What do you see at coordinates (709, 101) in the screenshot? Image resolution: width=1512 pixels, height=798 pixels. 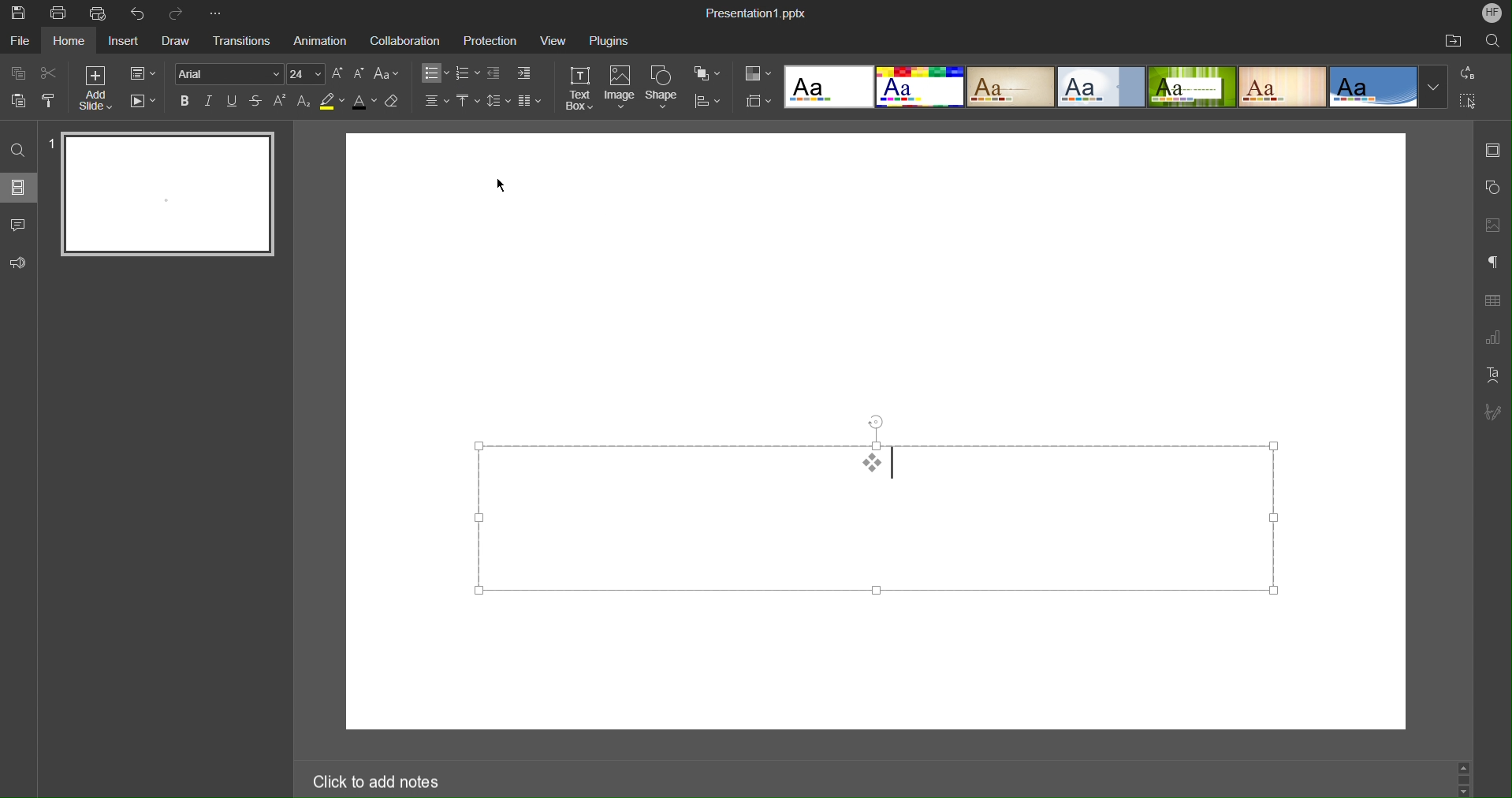 I see `Distribute` at bounding box center [709, 101].